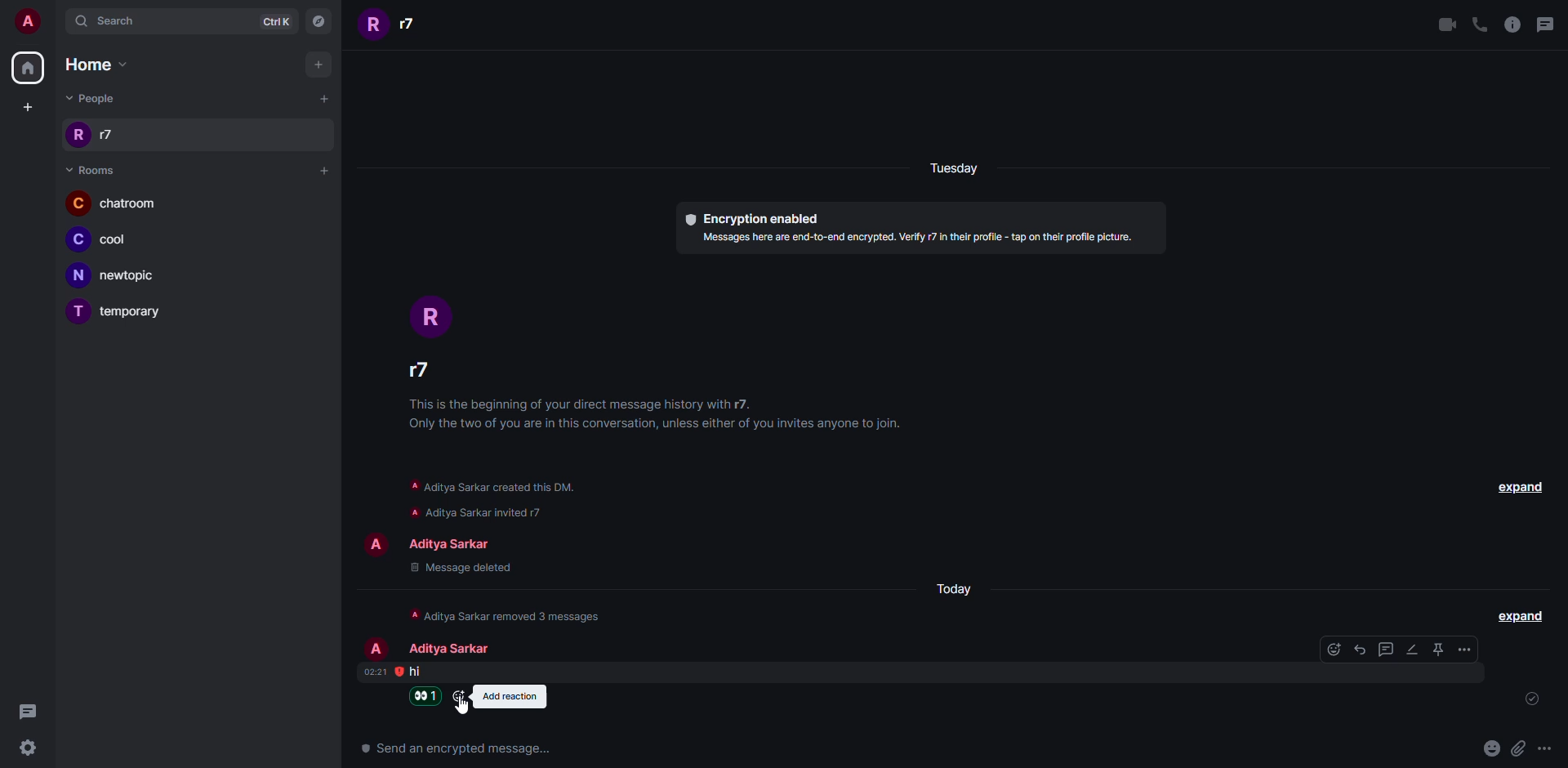 The image size is (1568, 768). Describe the element at coordinates (118, 276) in the screenshot. I see `room` at that location.